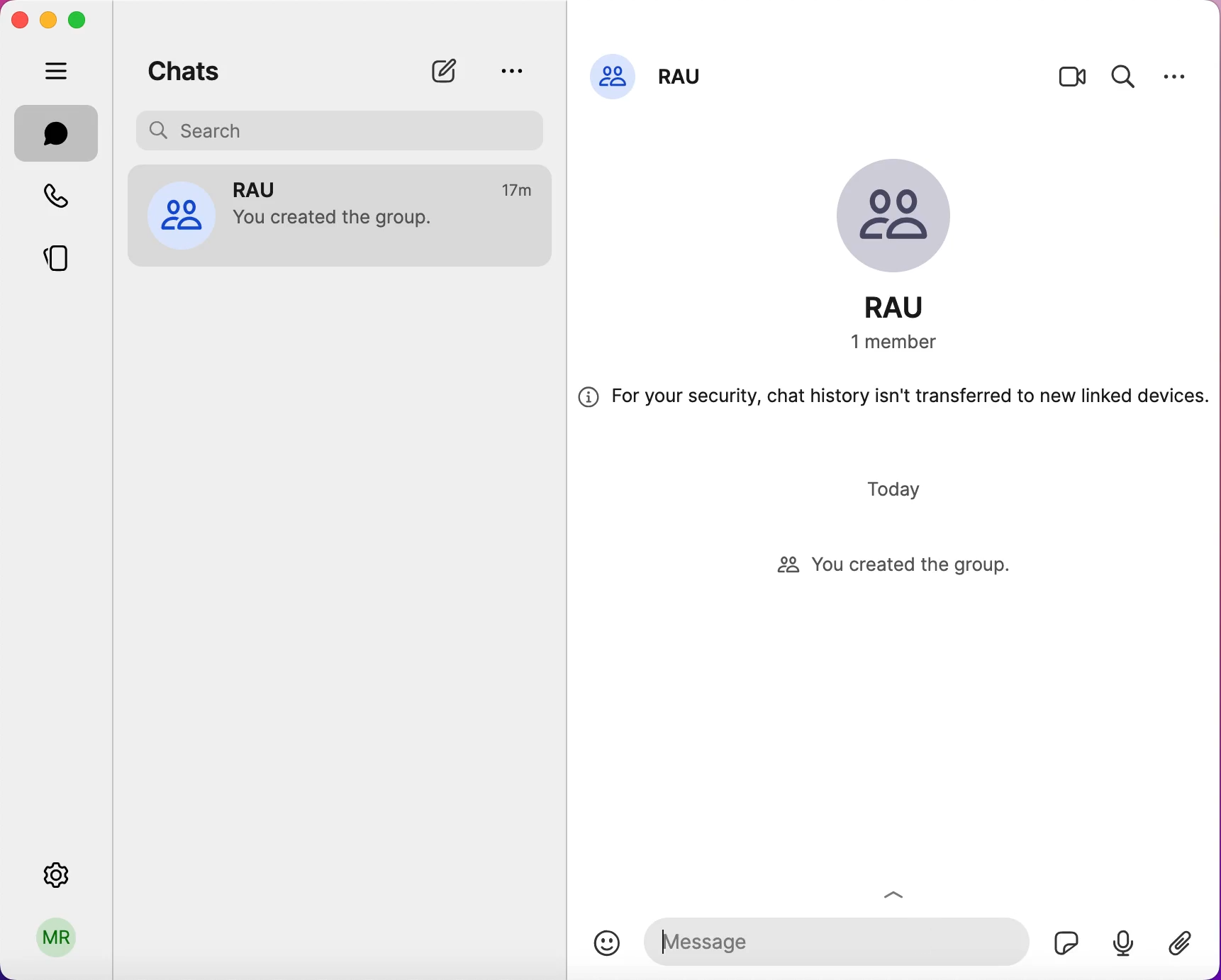 This screenshot has height=980, width=1221. What do you see at coordinates (665, 942) in the screenshot?
I see `text cursor` at bounding box center [665, 942].